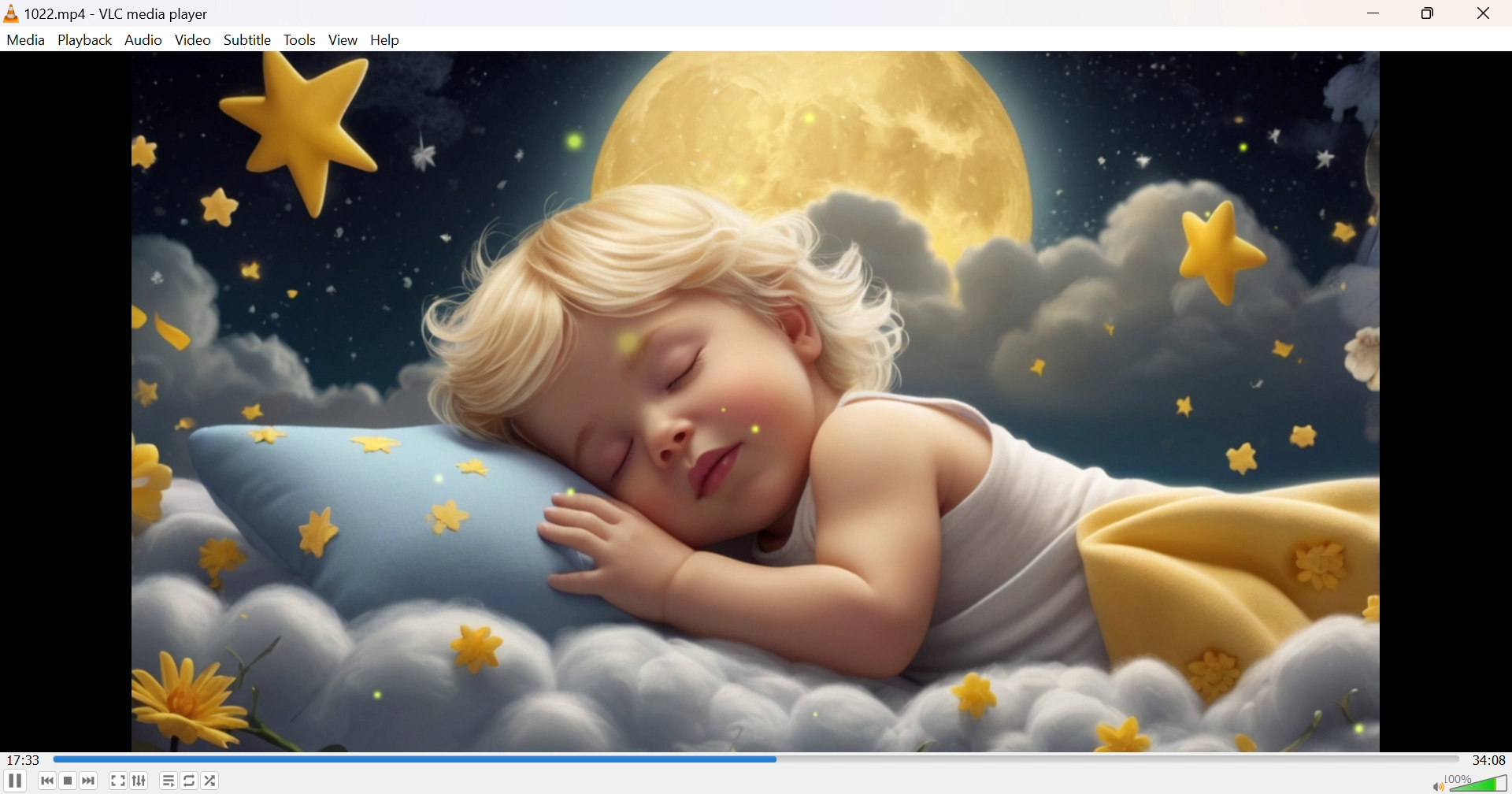 The image size is (1512, 794). I want to click on Next media in the playlist, skip forward when held, so click(90, 782).